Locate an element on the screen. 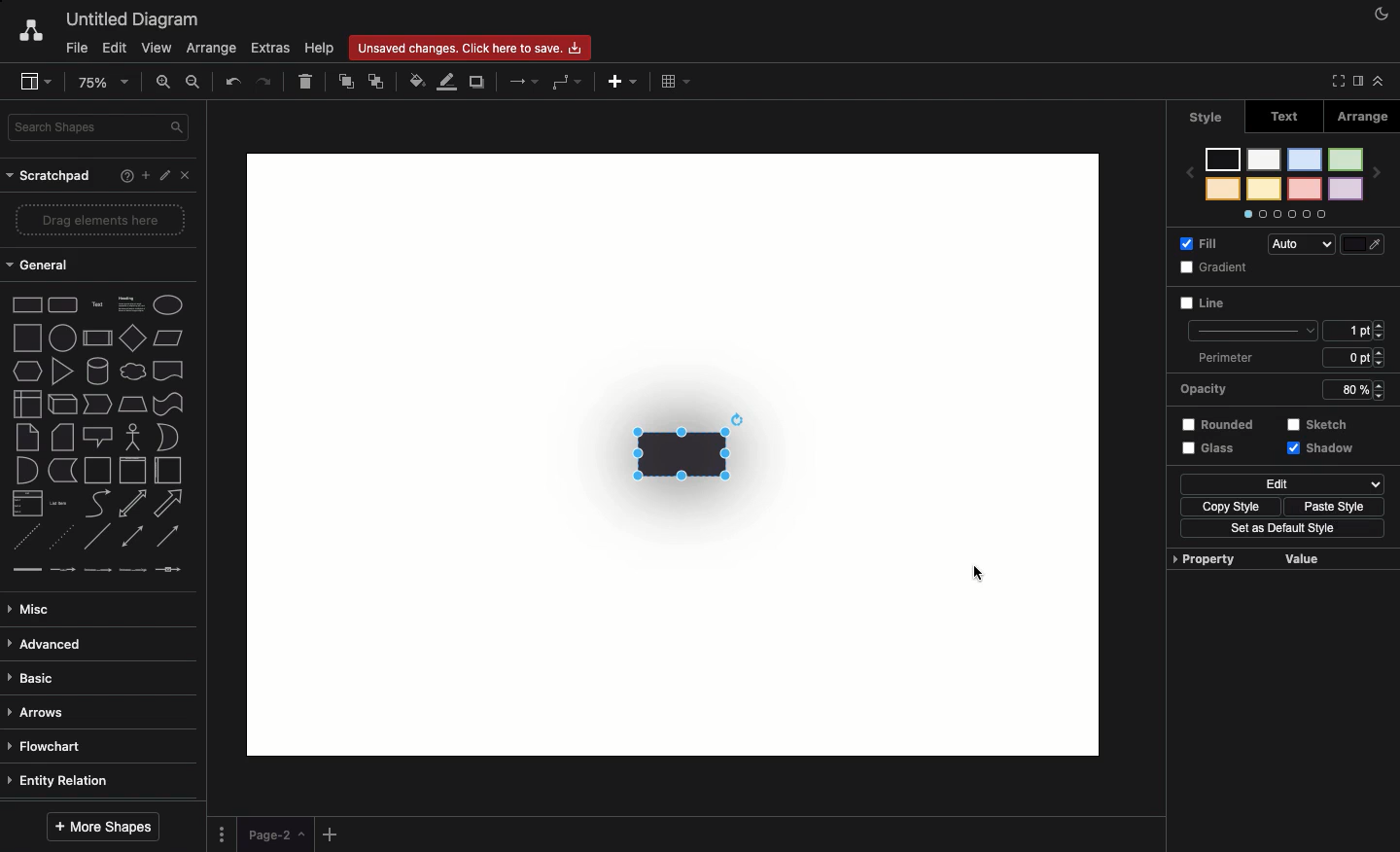  connector with label is located at coordinates (63, 569).